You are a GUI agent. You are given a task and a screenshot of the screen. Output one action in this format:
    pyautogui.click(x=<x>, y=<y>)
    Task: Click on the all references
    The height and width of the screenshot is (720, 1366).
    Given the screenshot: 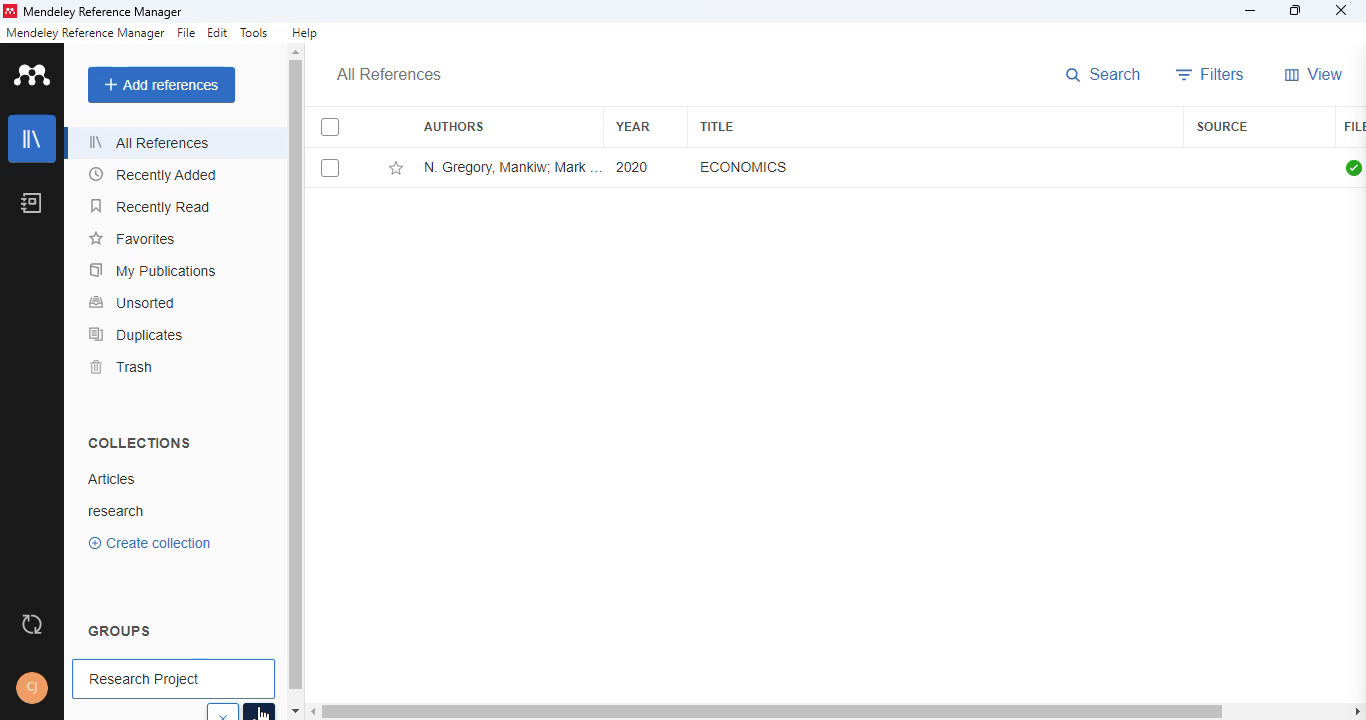 What is the action you would take?
    pyautogui.click(x=149, y=142)
    